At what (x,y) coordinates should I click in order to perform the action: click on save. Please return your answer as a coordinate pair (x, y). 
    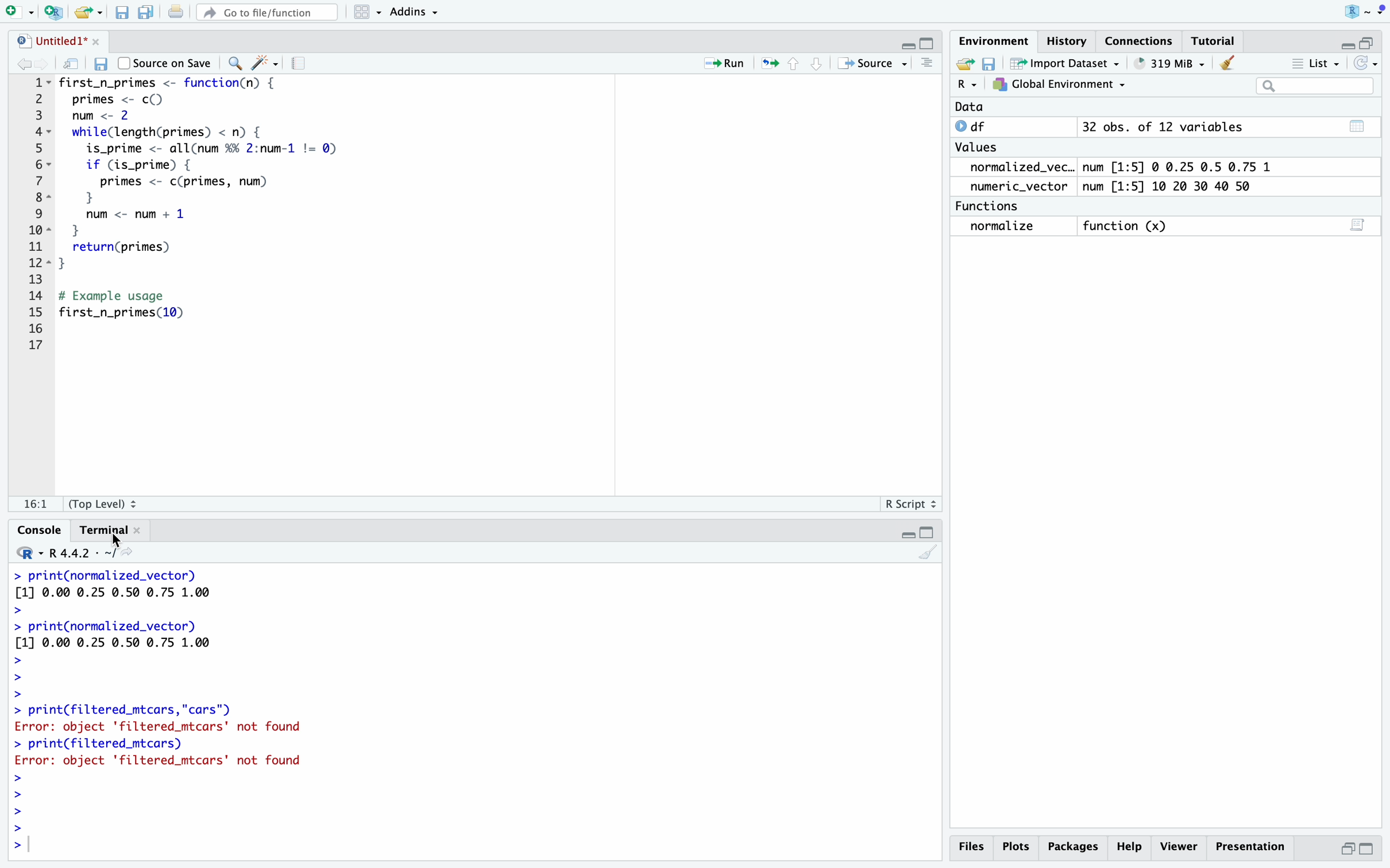
    Looking at the image, I should click on (991, 61).